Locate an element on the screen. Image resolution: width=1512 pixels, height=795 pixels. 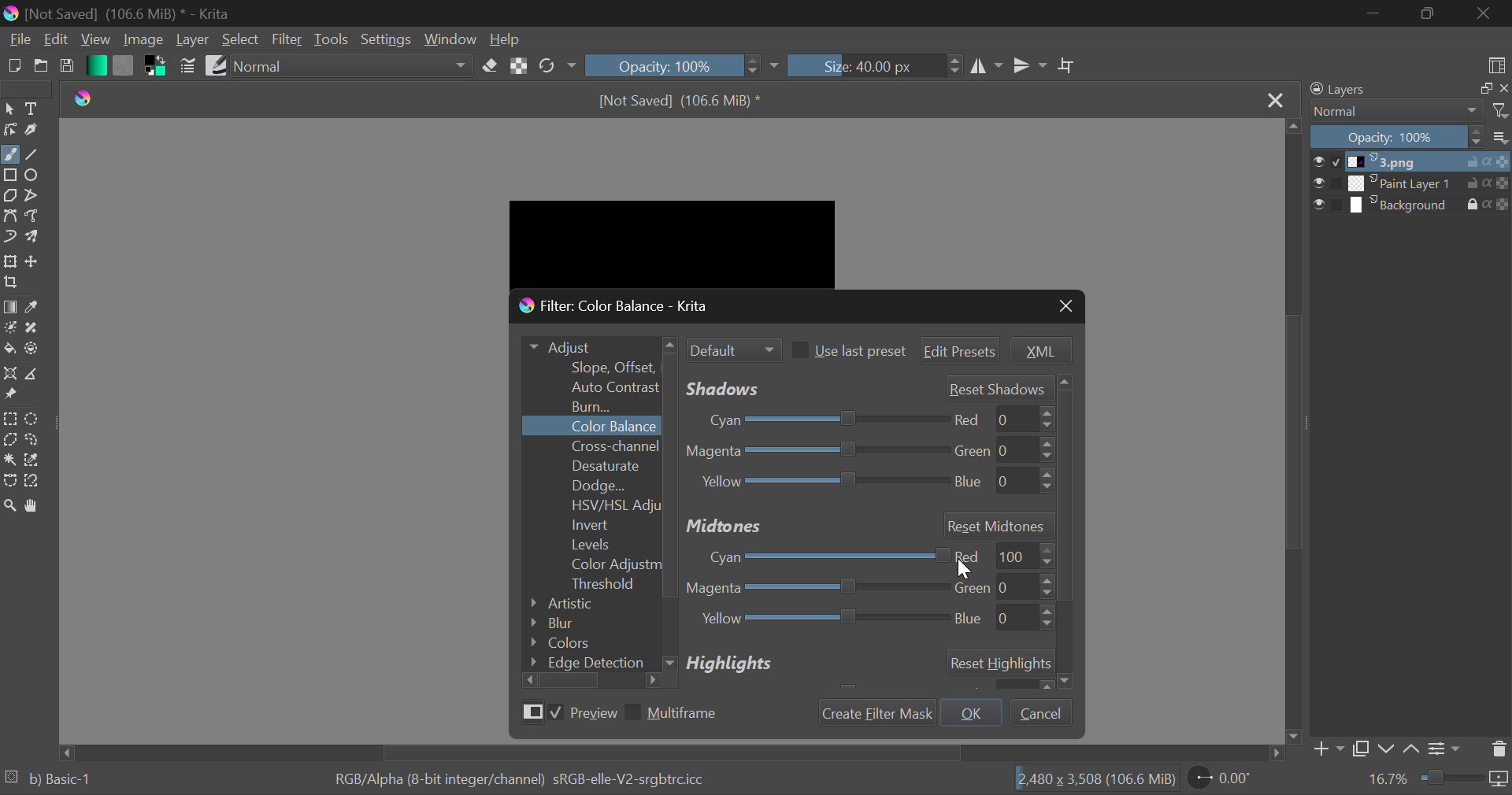
Color Adjustment is located at coordinates (592, 564).